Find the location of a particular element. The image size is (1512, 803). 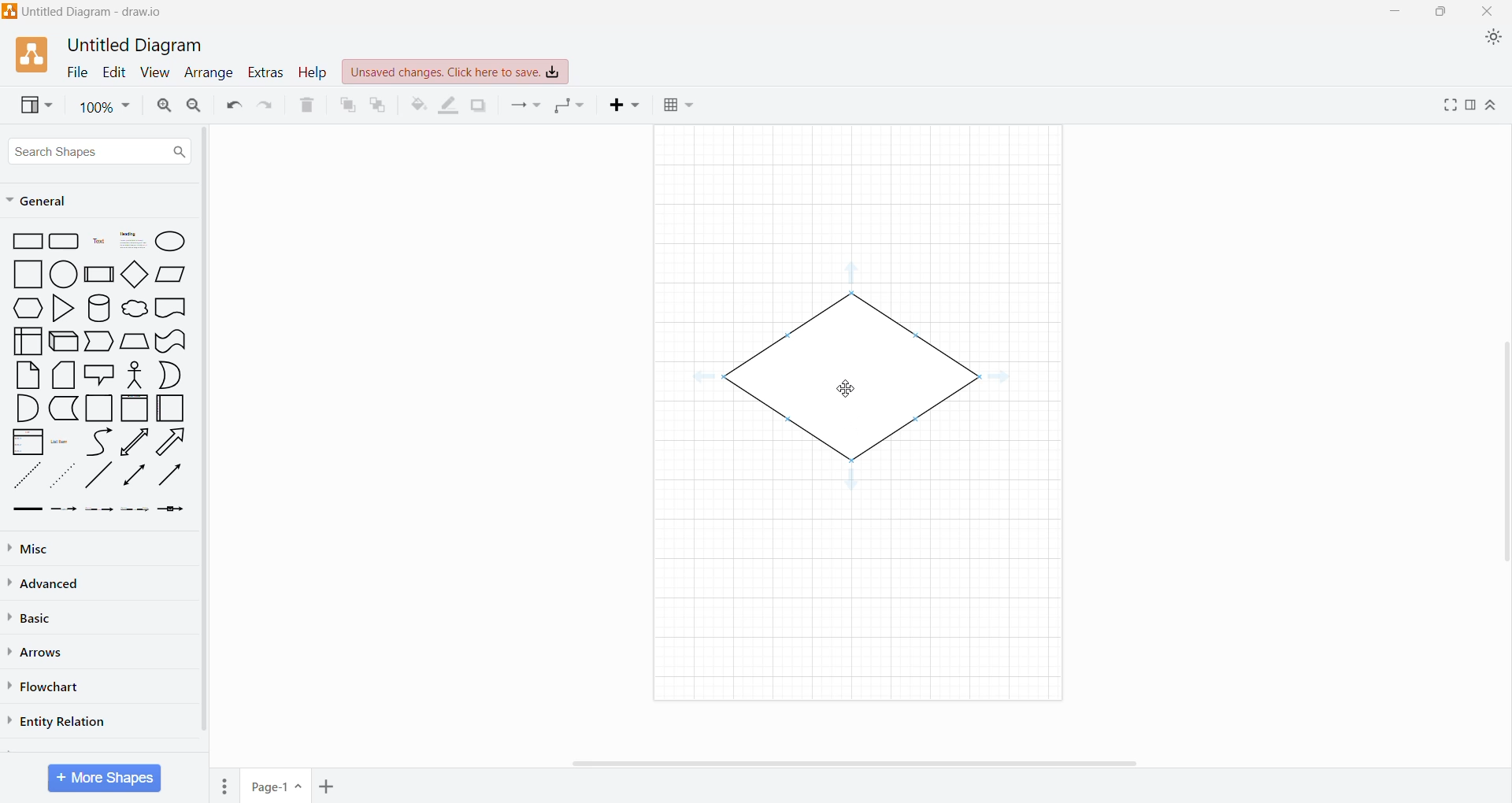

Arrows is located at coordinates (39, 653).